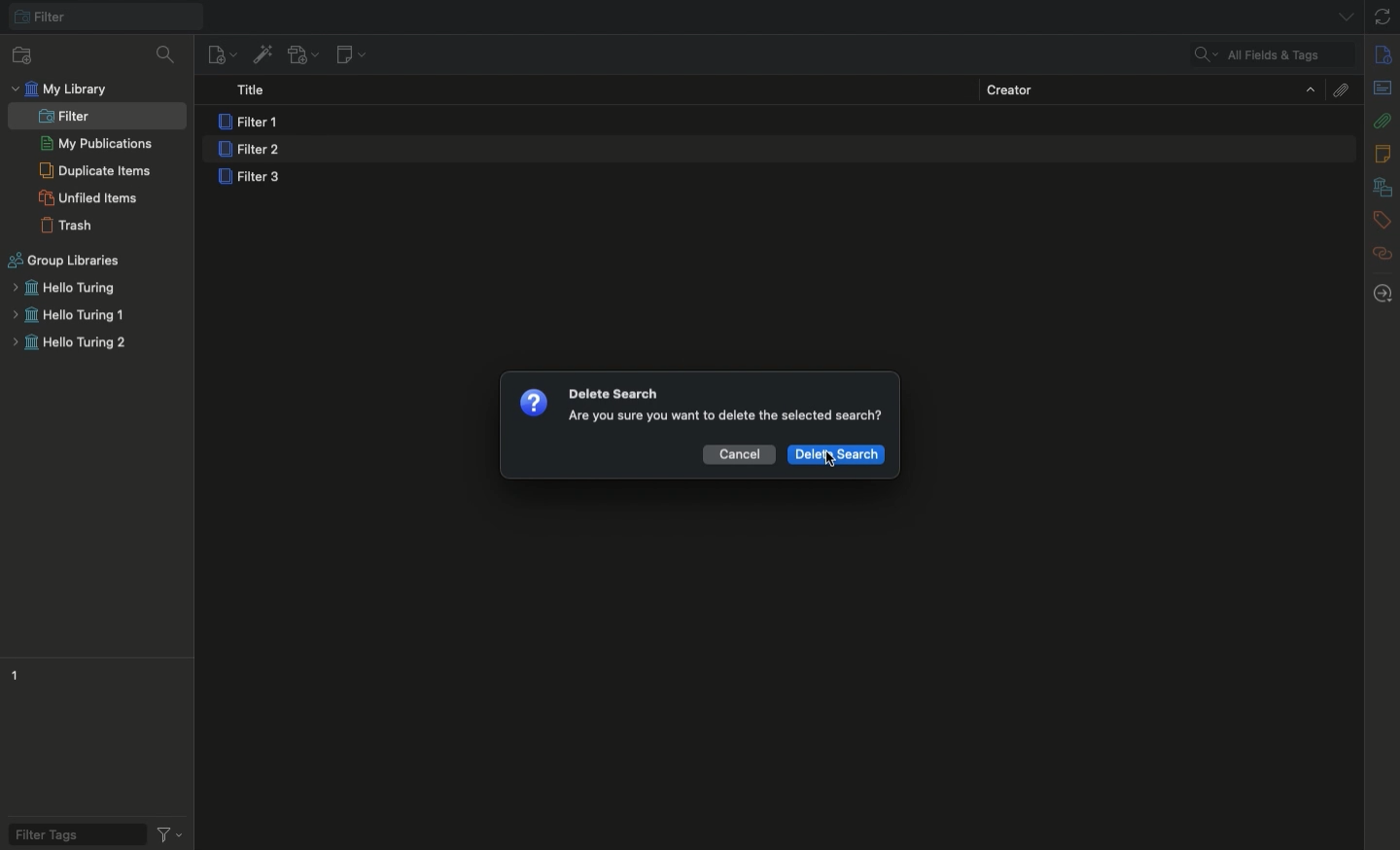 This screenshot has width=1400, height=850. Describe the element at coordinates (724, 418) in the screenshot. I see `Are you sure you want to delete the selected search` at that location.